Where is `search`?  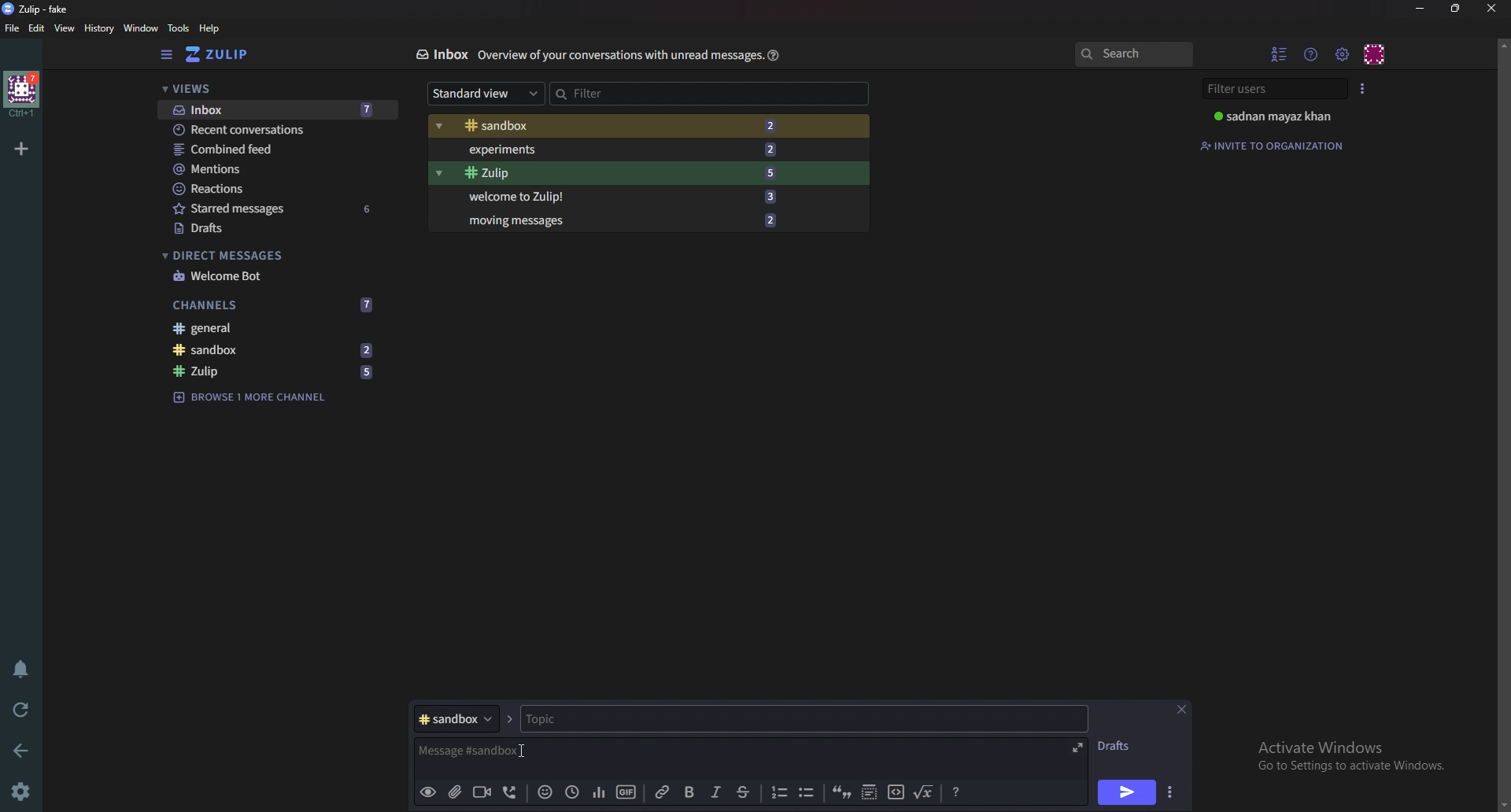
search is located at coordinates (1133, 55).